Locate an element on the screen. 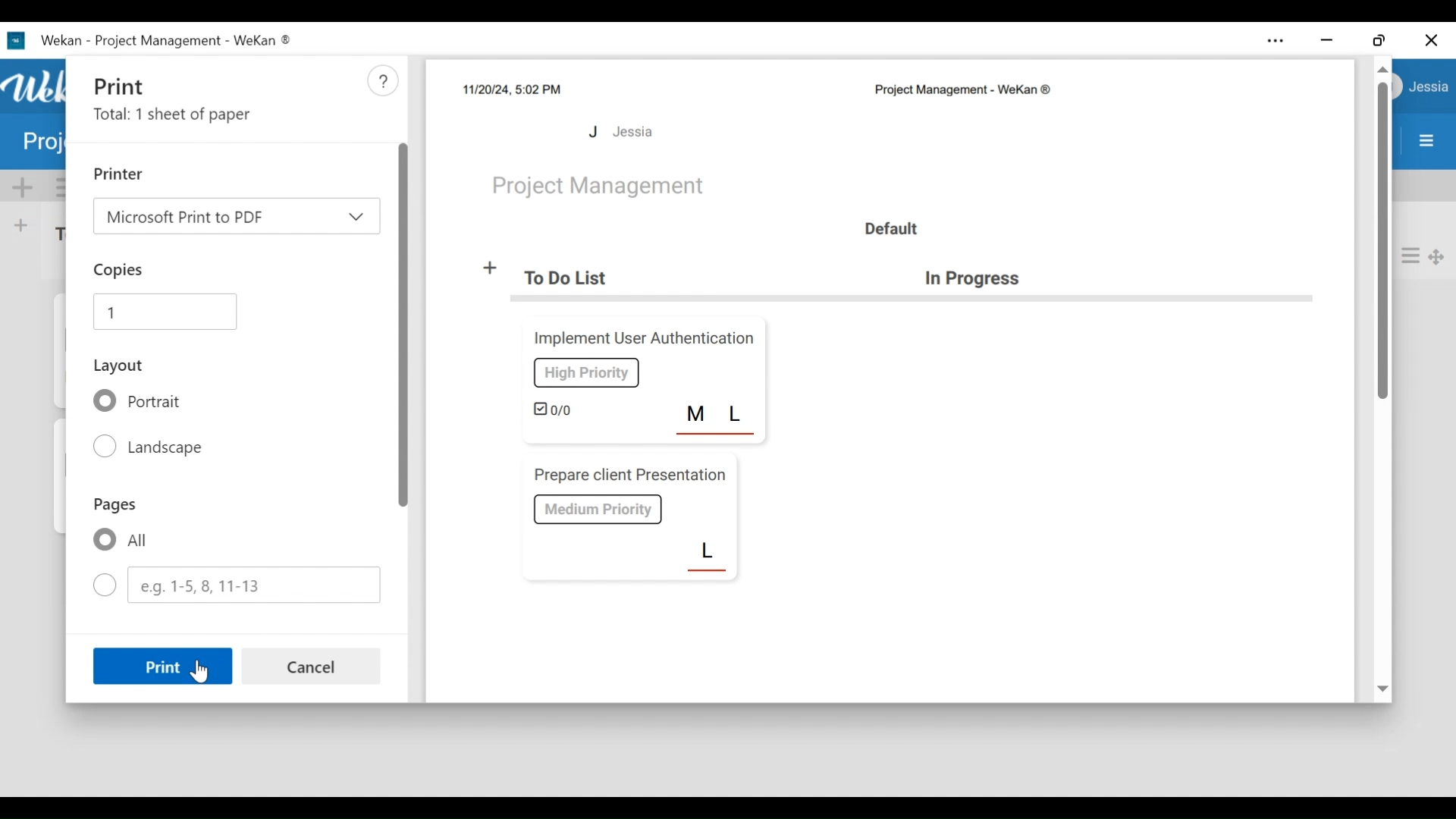 The image size is (1456, 819). Restore is located at coordinates (1379, 40).